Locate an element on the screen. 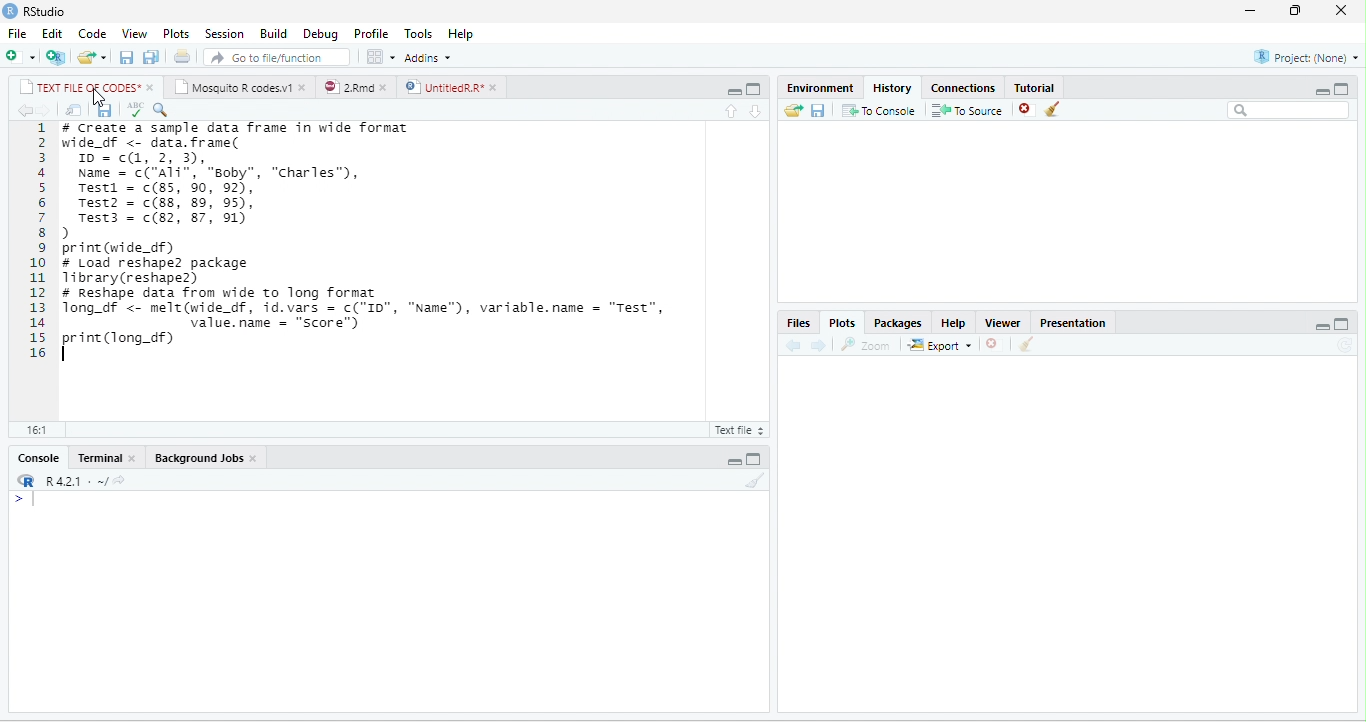  Addins is located at coordinates (428, 58).